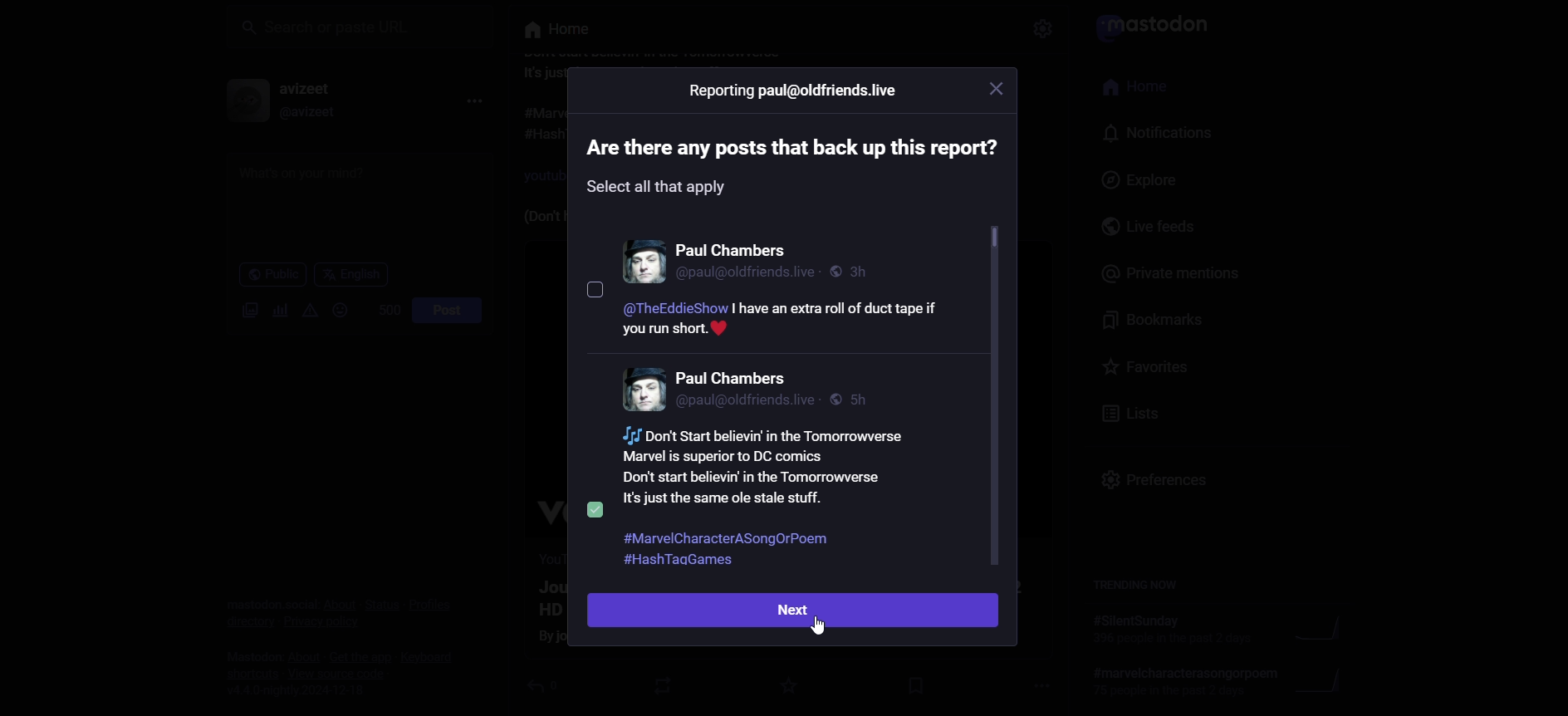  Describe the element at coordinates (821, 625) in the screenshot. I see `` at that location.